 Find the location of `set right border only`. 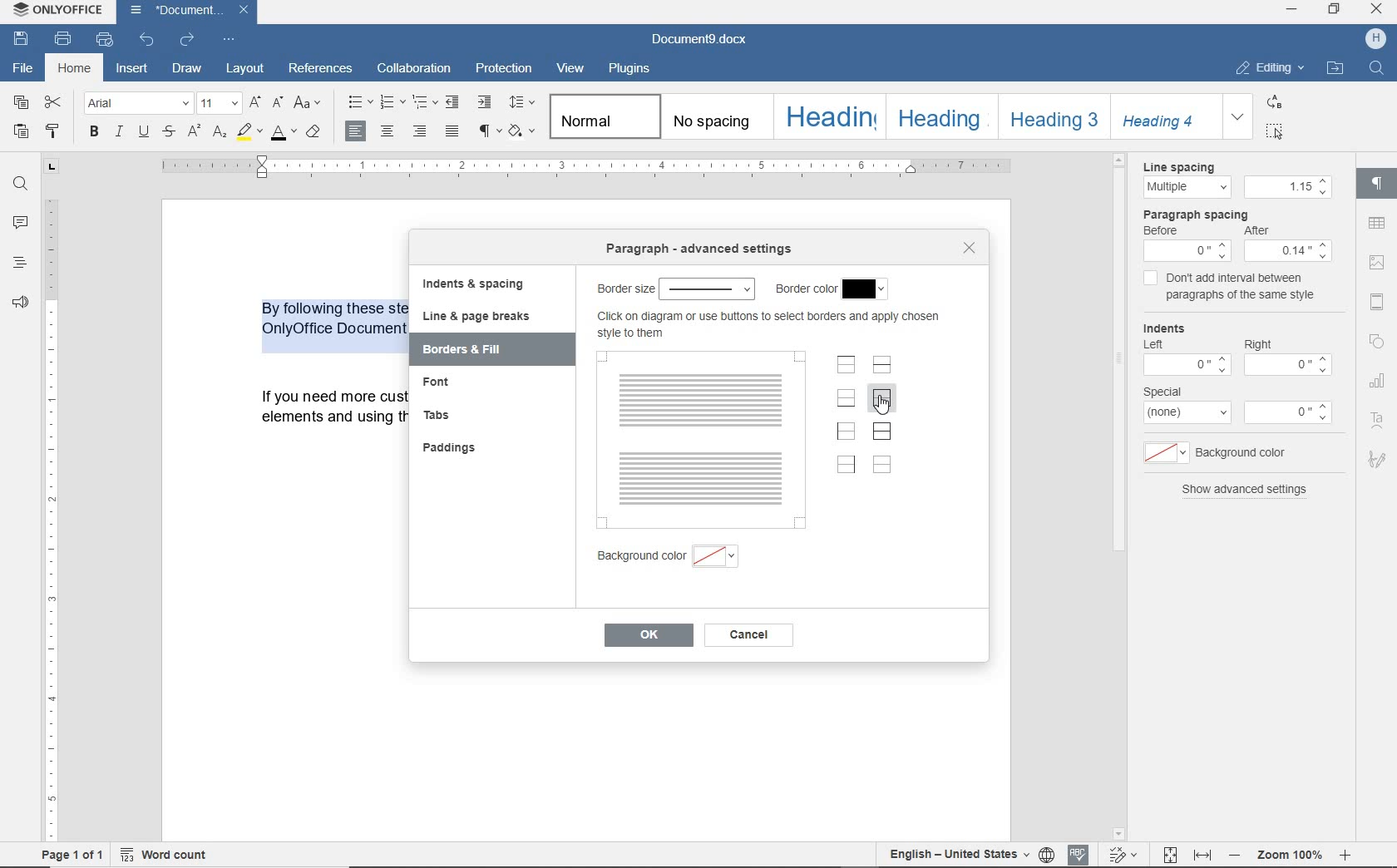

set right border only is located at coordinates (845, 466).